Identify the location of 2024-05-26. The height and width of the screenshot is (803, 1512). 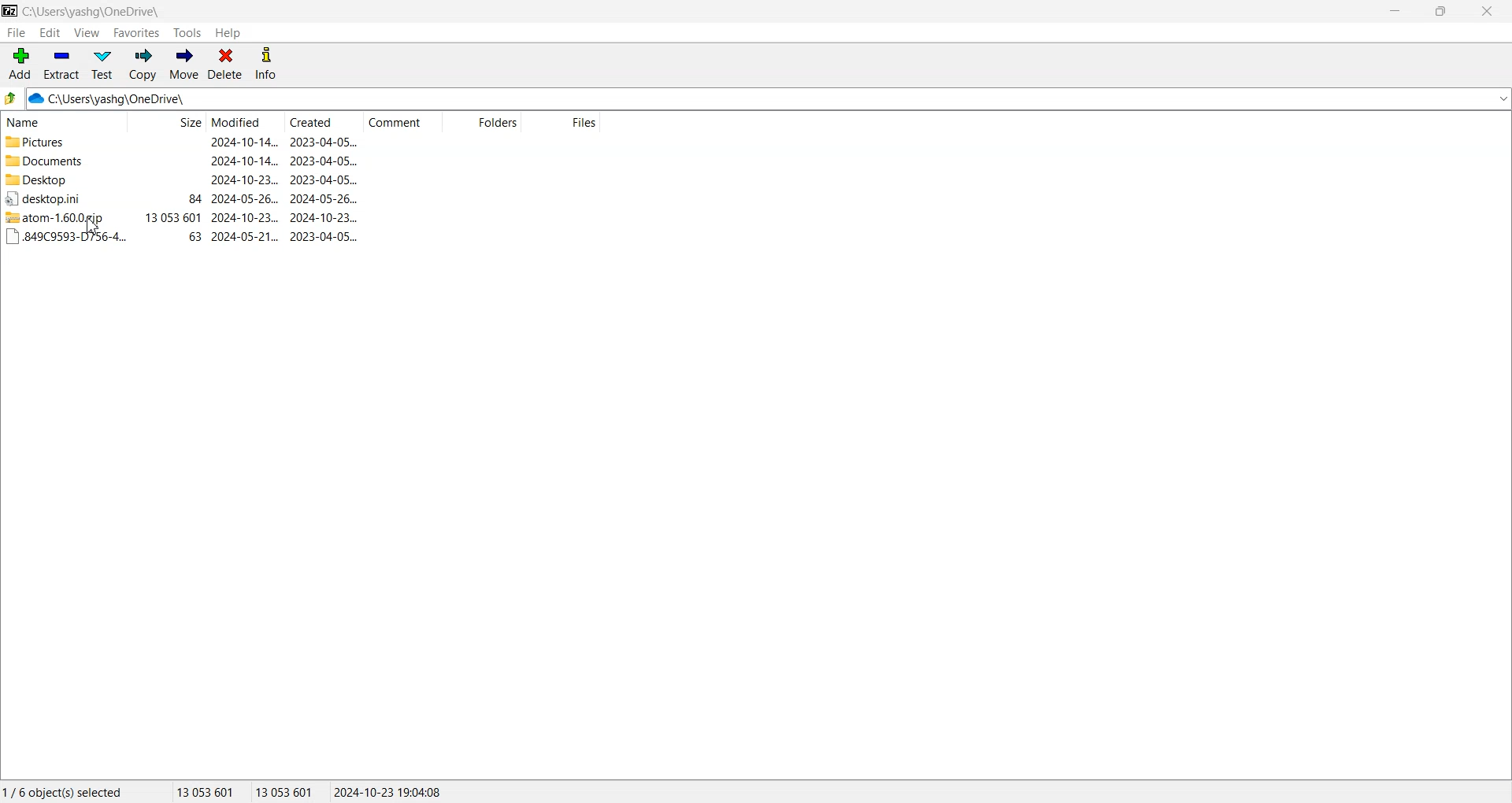
(324, 198).